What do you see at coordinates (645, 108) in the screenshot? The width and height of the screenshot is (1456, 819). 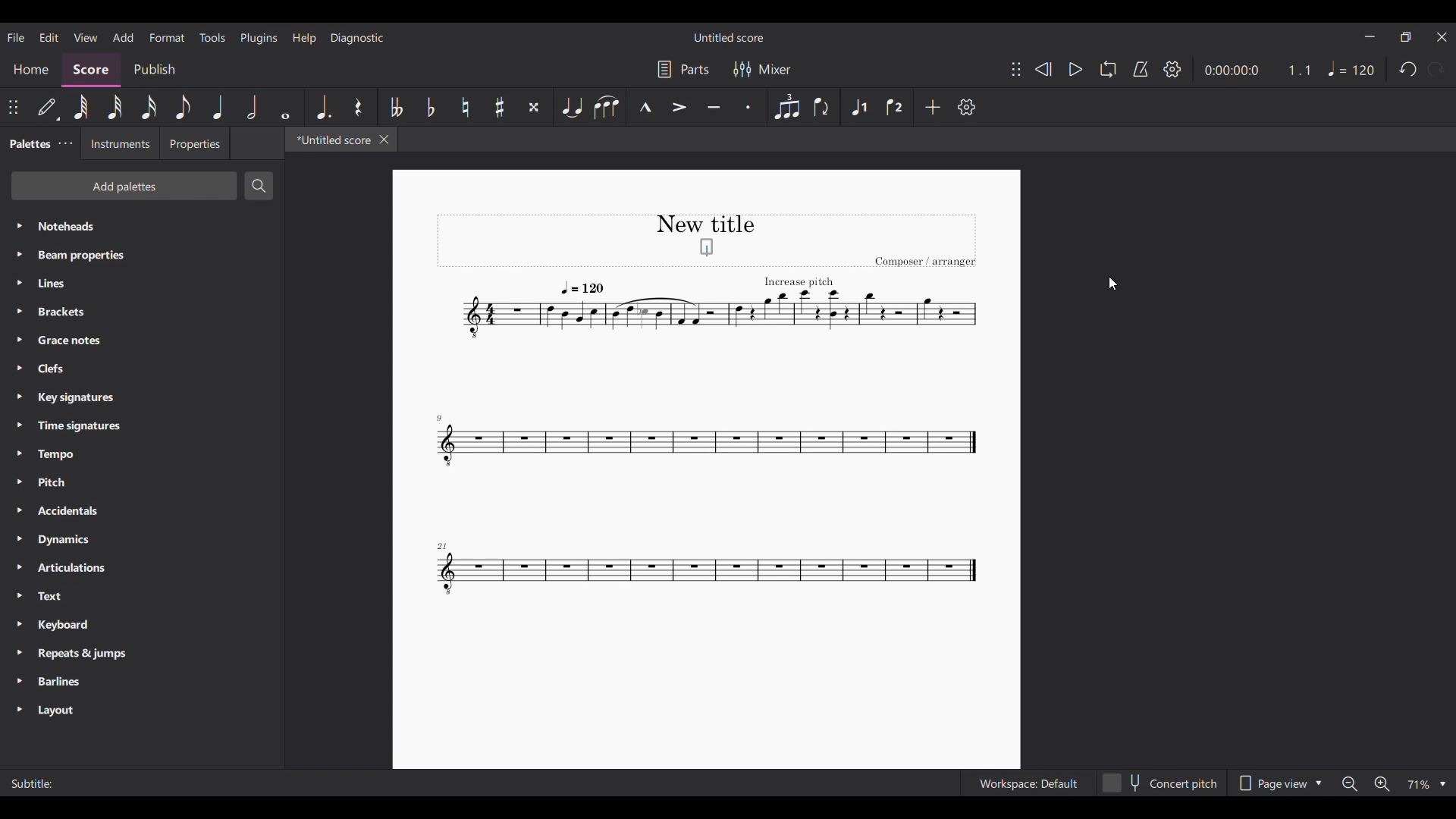 I see `Marcato` at bounding box center [645, 108].